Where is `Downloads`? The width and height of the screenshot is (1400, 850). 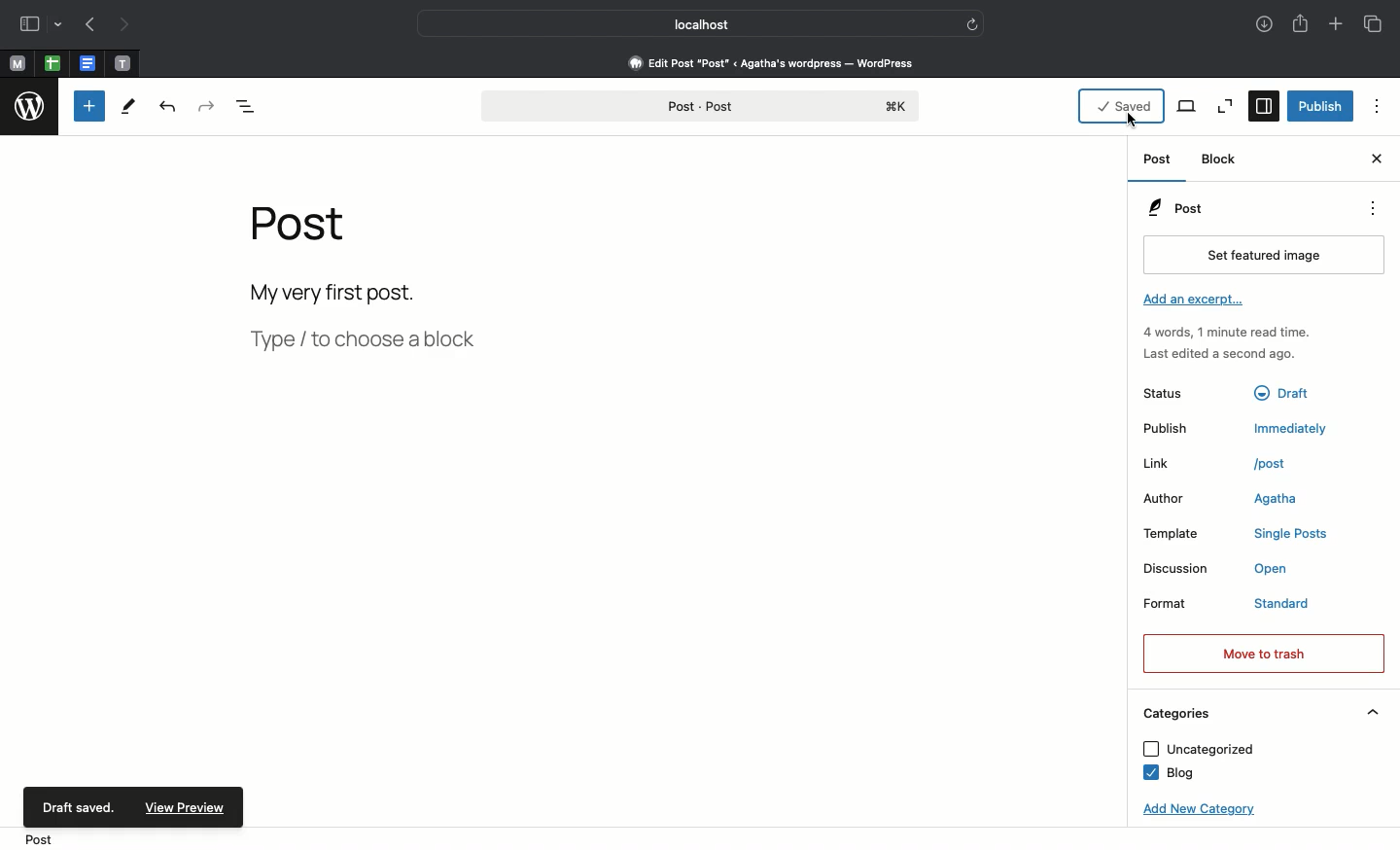
Downloads is located at coordinates (1261, 25).